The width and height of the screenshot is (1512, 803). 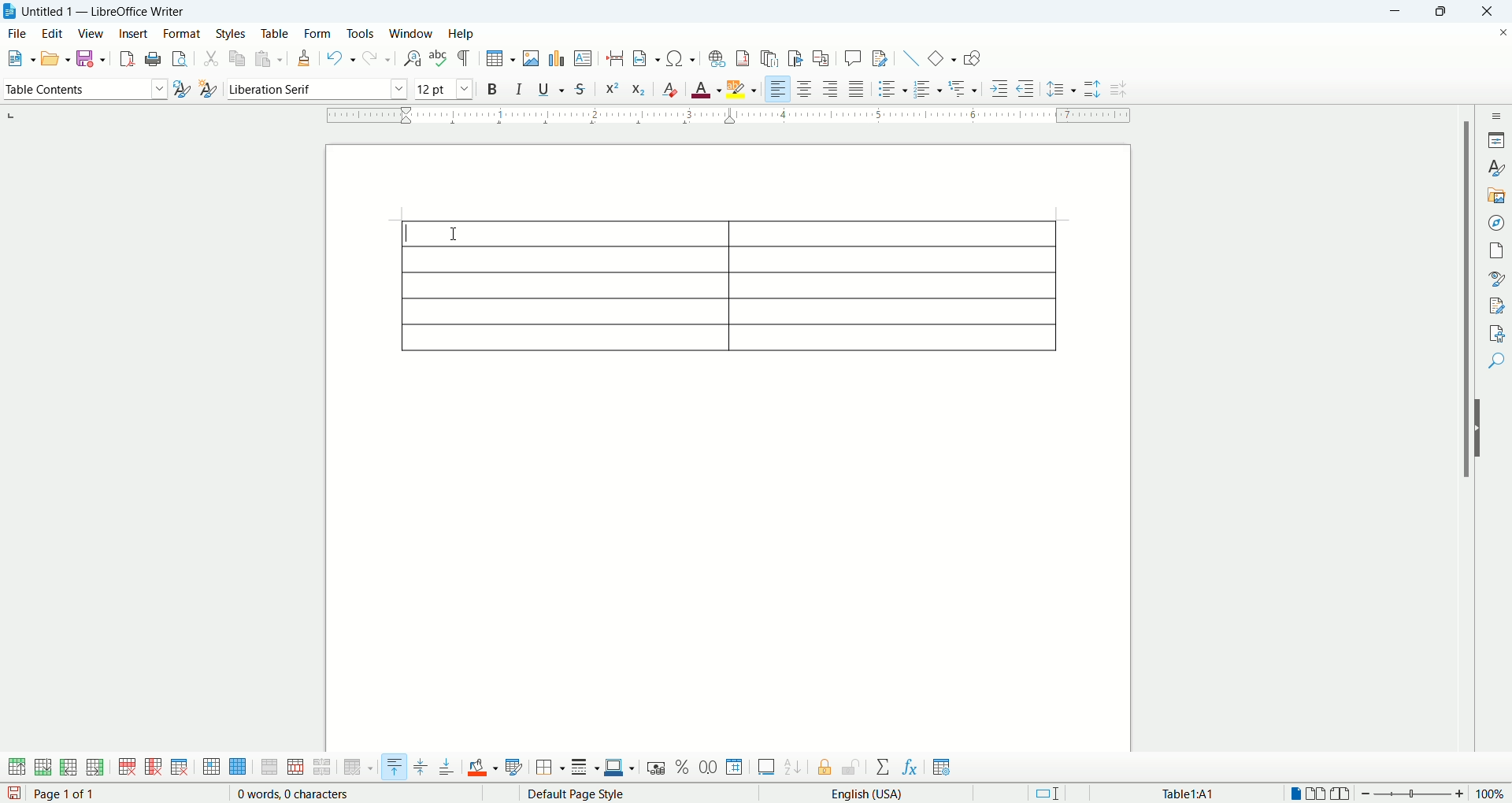 What do you see at coordinates (639, 87) in the screenshot?
I see `subscript` at bounding box center [639, 87].